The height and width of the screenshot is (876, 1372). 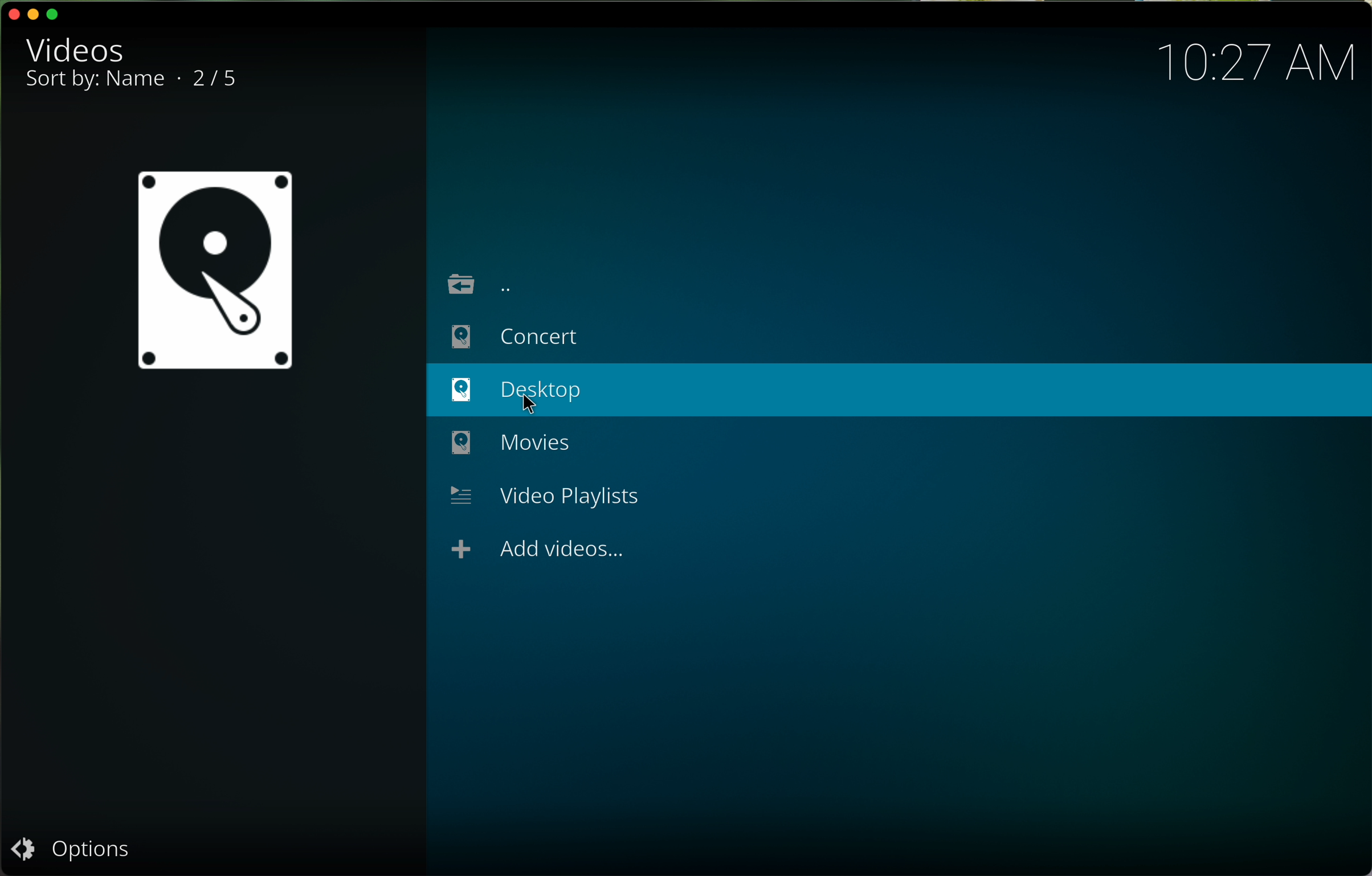 I want to click on navigate back, so click(x=484, y=281).